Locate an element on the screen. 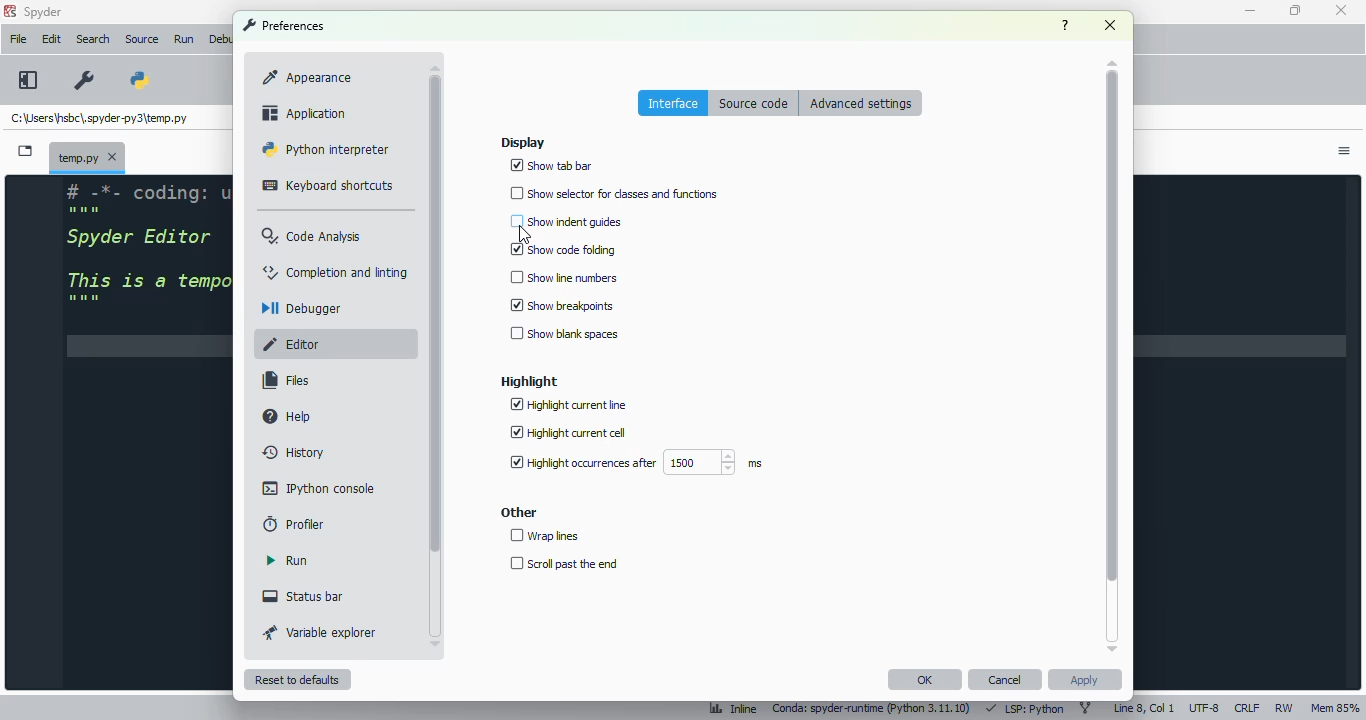 The width and height of the screenshot is (1366, 720). close is located at coordinates (1342, 10).